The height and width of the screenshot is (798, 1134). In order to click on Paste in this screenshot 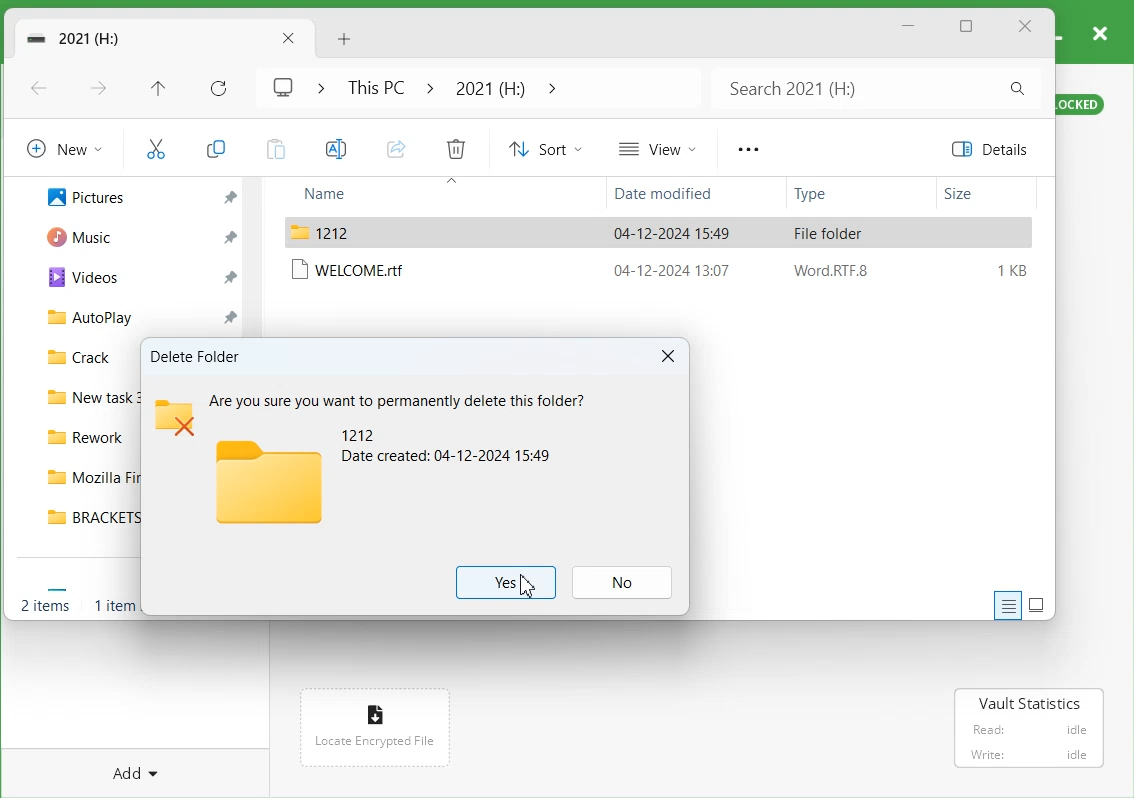, I will do `click(273, 147)`.